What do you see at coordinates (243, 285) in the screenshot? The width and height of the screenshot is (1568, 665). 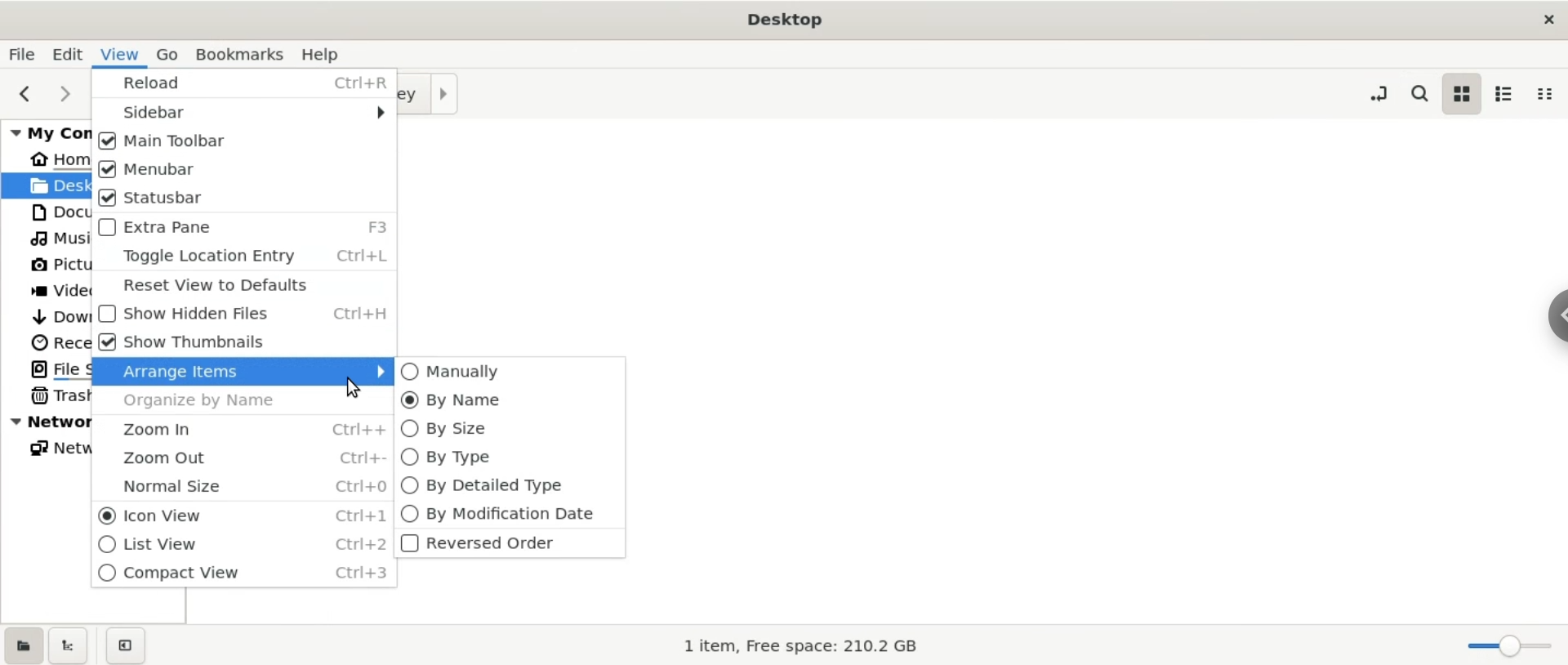 I see `reset view defaults` at bounding box center [243, 285].